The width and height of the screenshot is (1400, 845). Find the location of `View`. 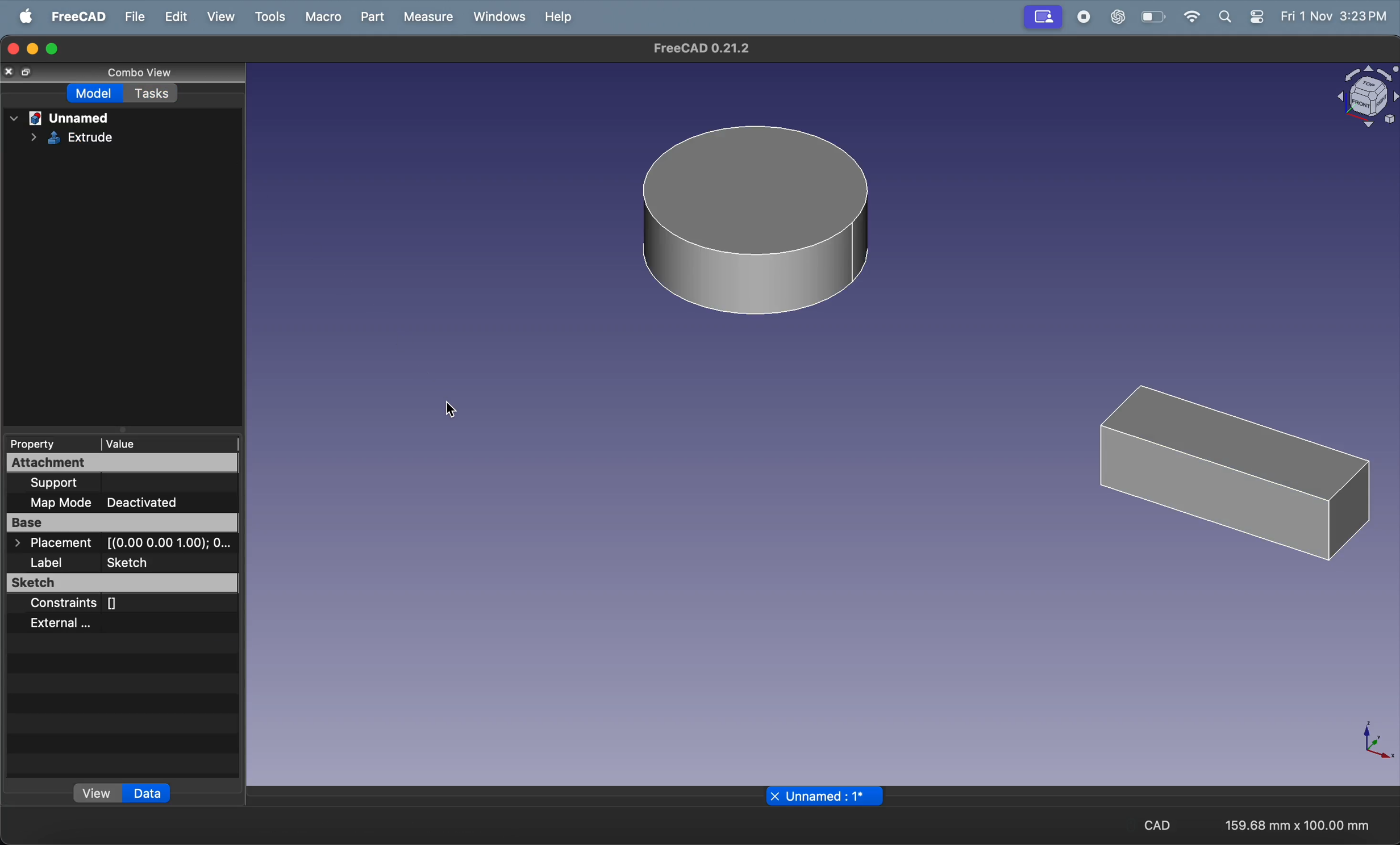

View is located at coordinates (220, 16).